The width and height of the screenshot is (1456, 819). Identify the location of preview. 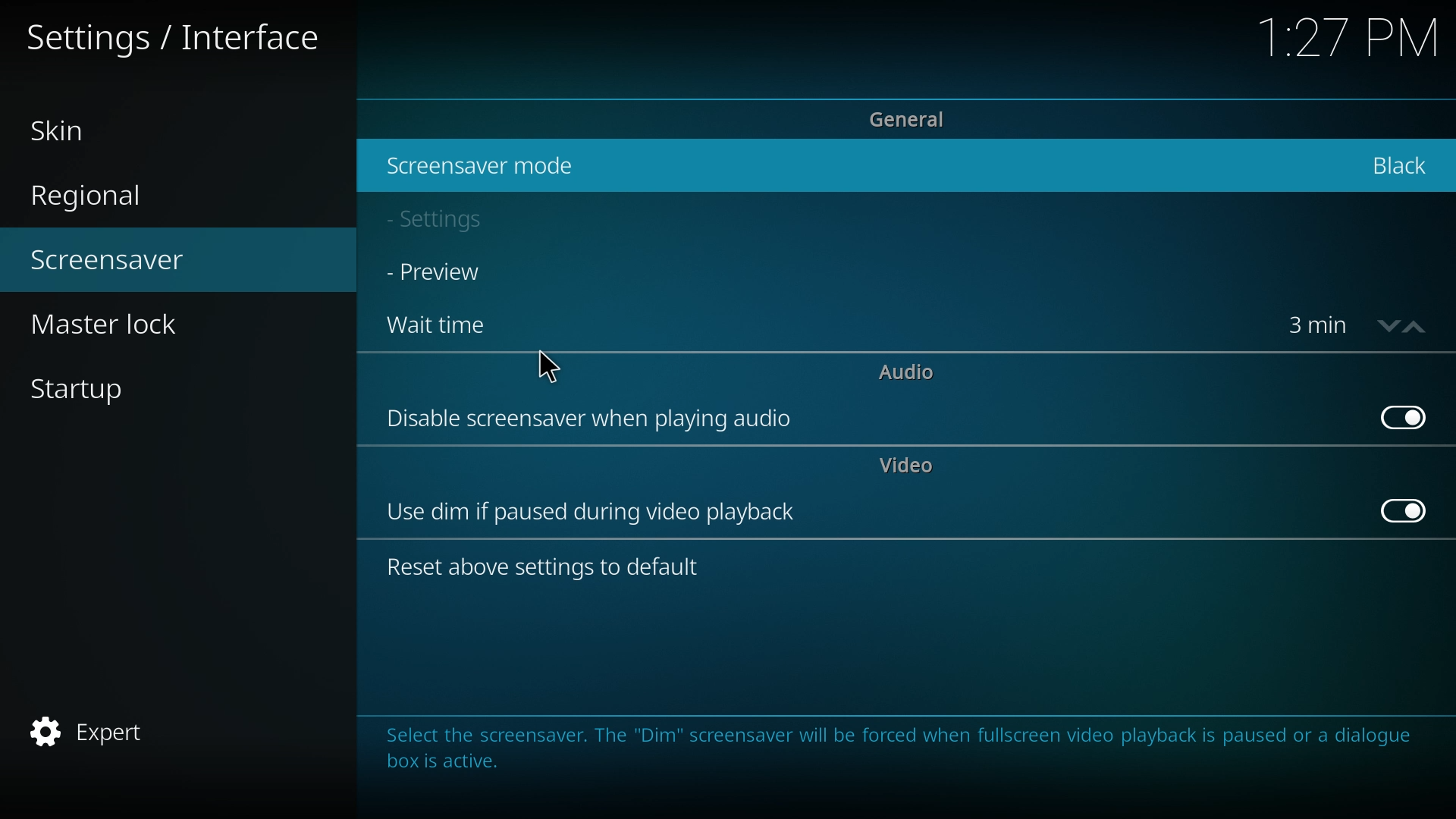
(457, 272).